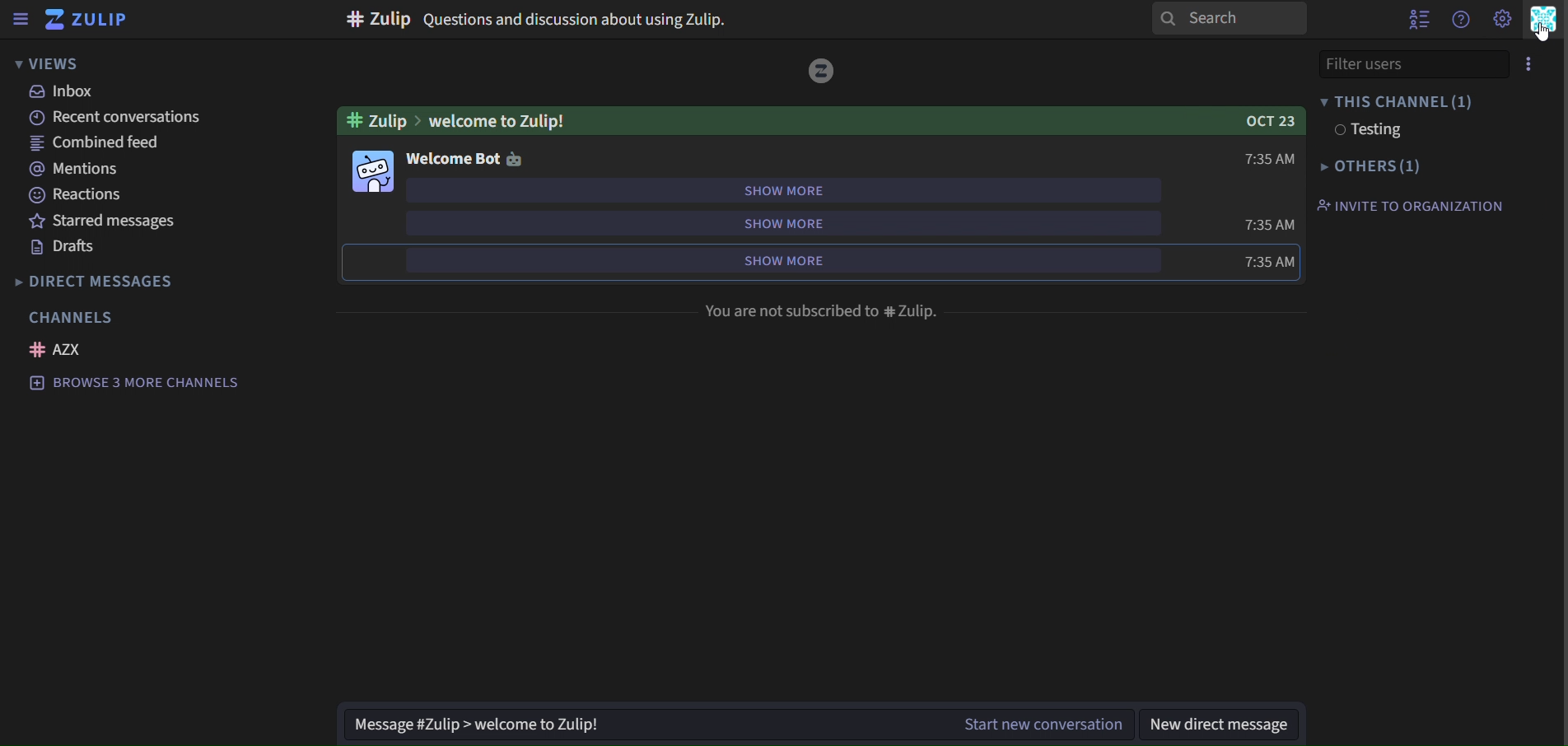  Describe the element at coordinates (369, 19) in the screenshot. I see `#Zulip` at that location.